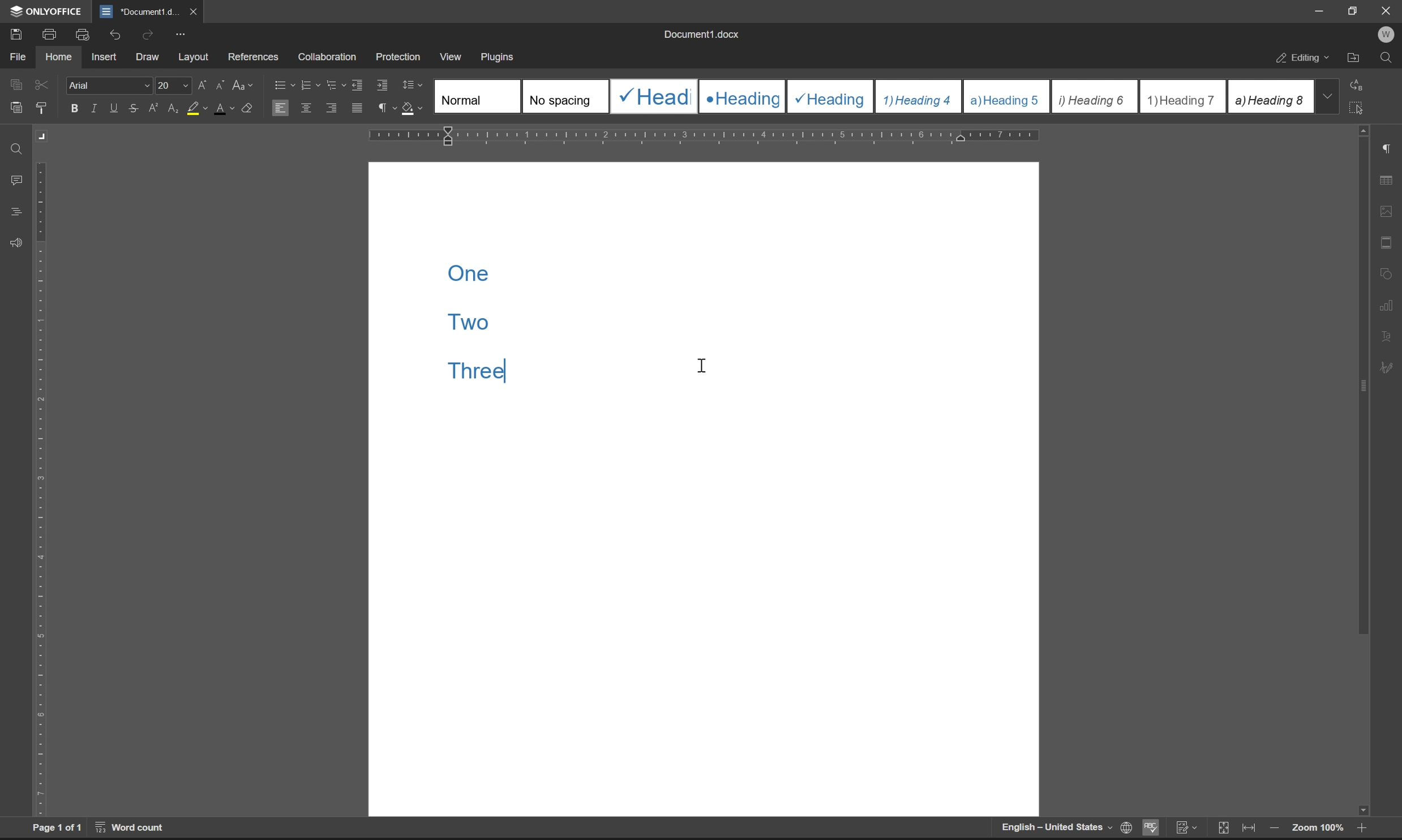  What do you see at coordinates (1359, 830) in the screenshot?
I see `zoom in` at bounding box center [1359, 830].